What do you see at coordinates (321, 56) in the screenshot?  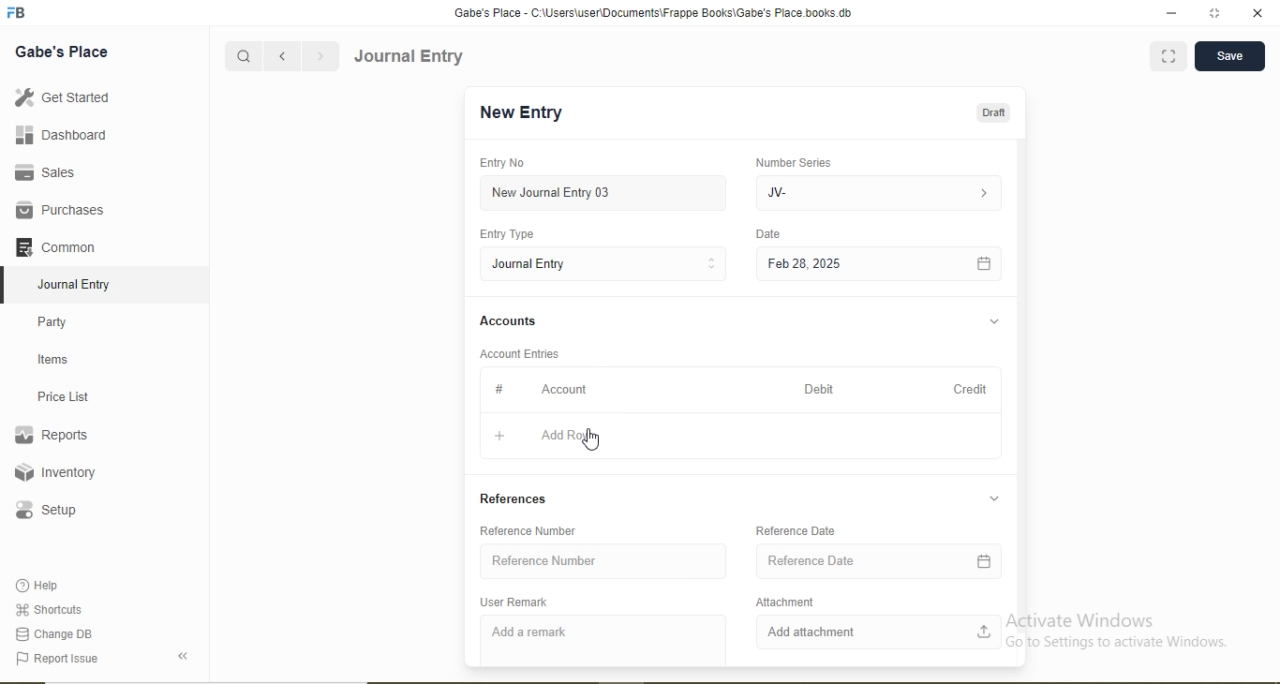 I see `Forward` at bounding box center [321, 56].